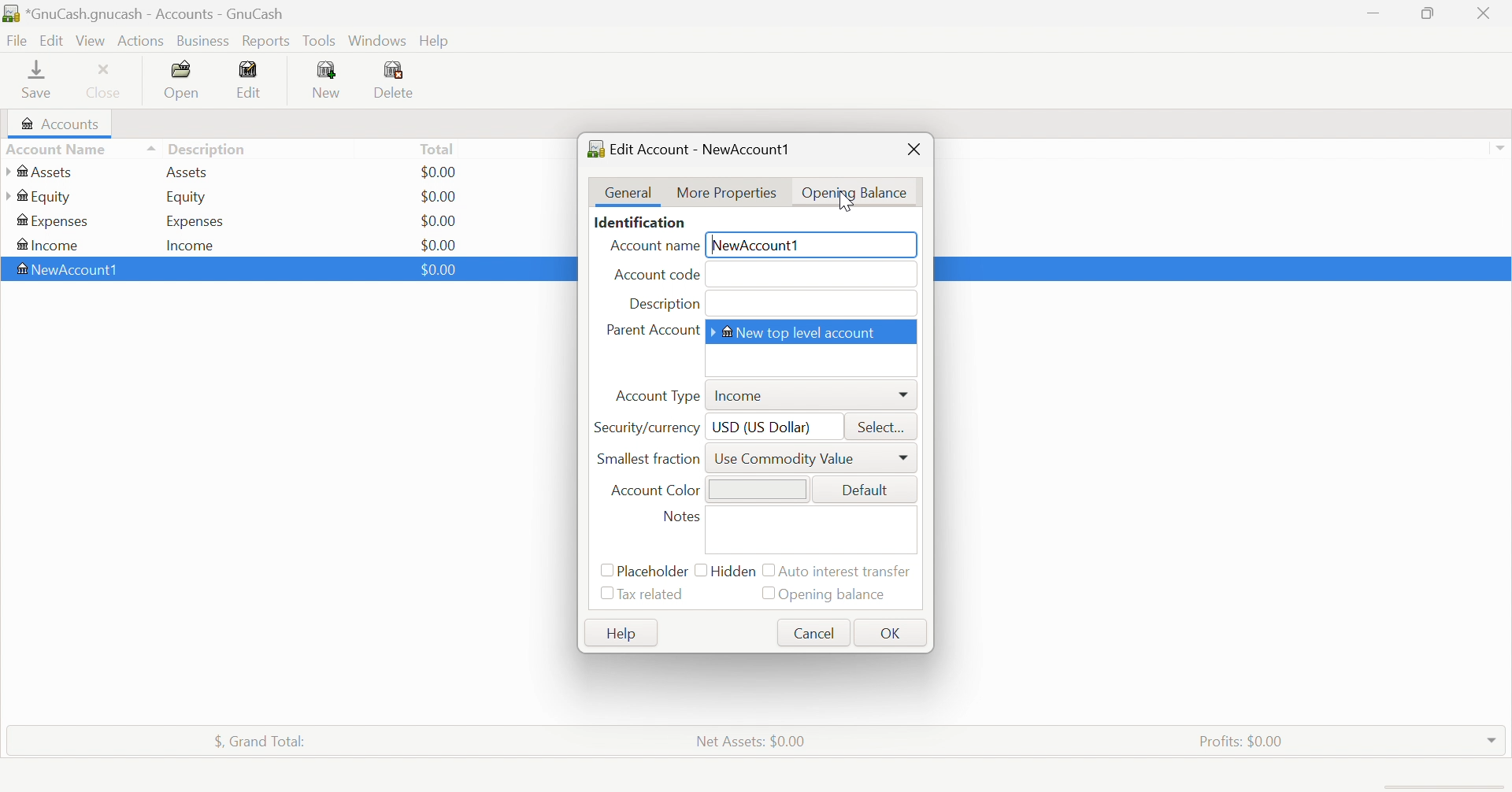  What do you see at coordinates (61, 122) in the screenshot?
I see `Accounts` at bounding box center [61, 122].